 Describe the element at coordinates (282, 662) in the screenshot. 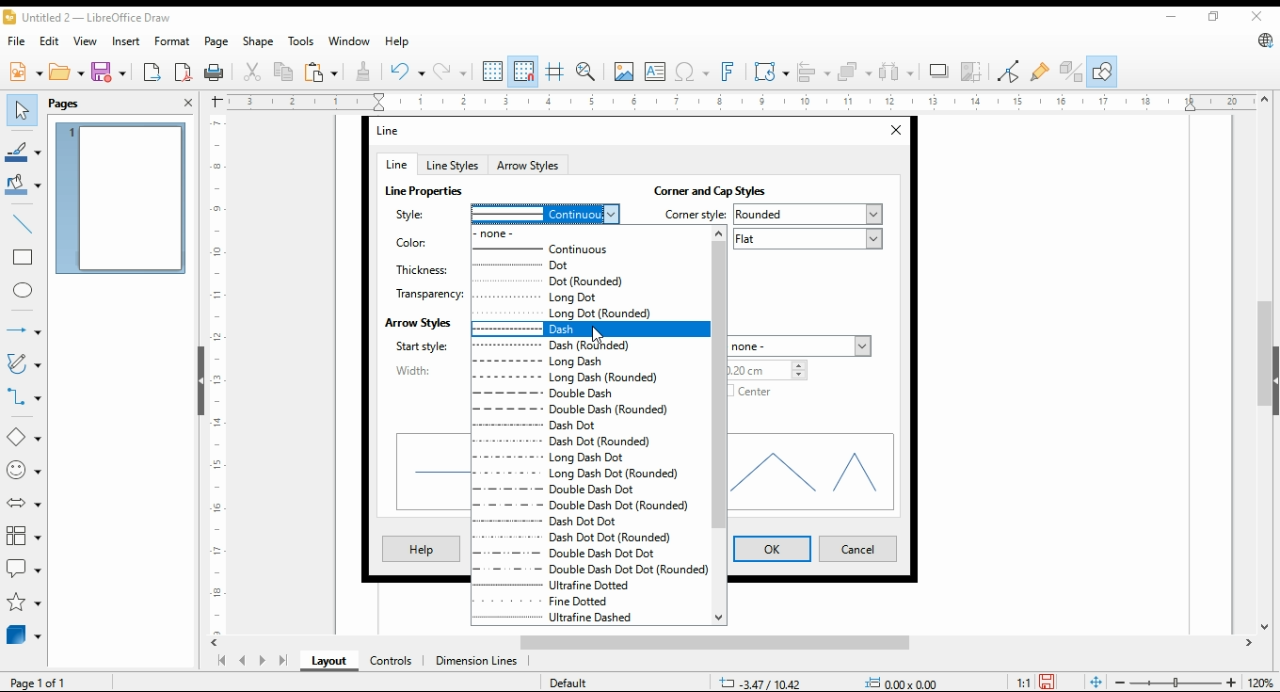

I see `last page` at that location.